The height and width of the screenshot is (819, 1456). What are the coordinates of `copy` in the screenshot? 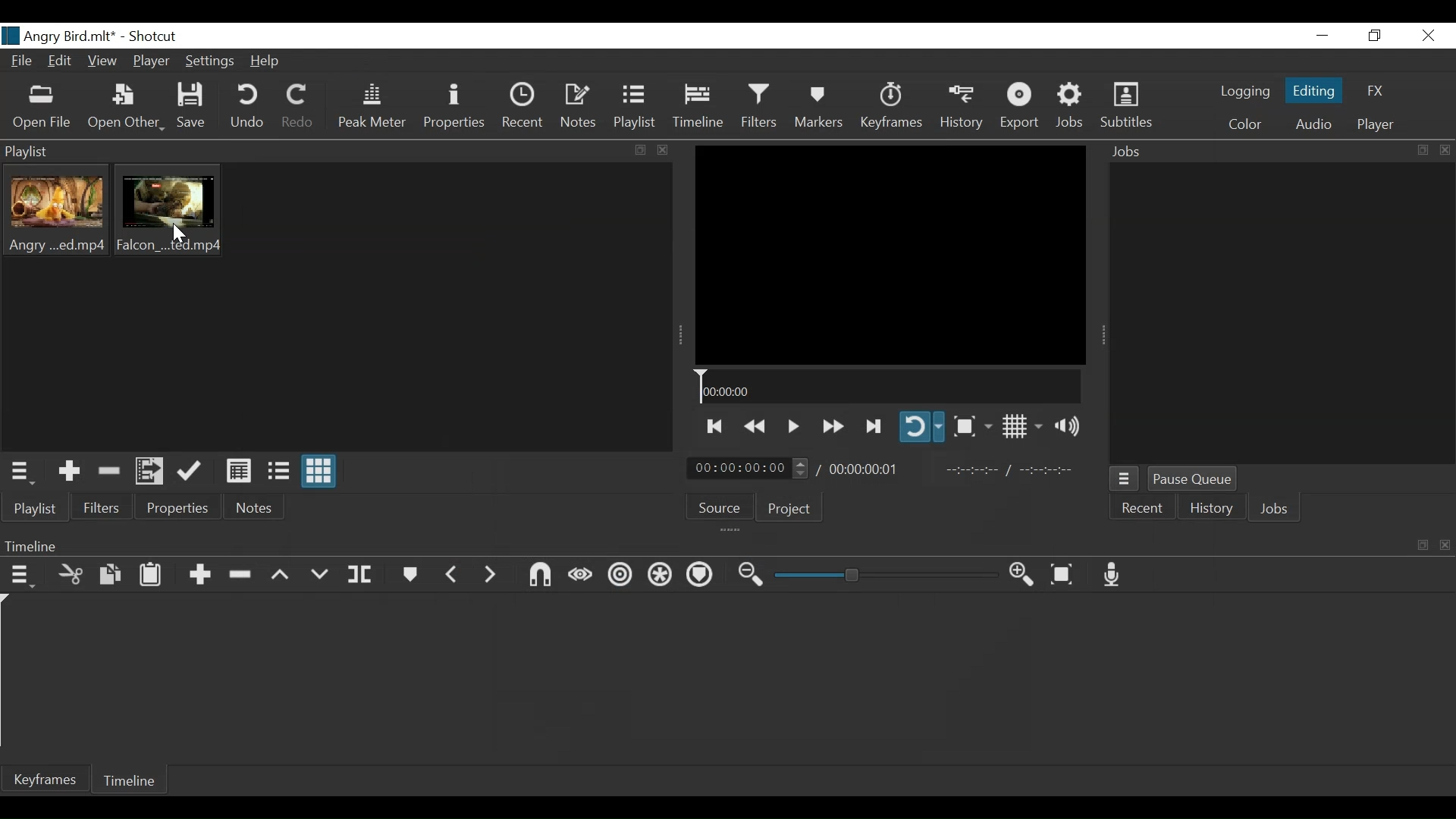 It's located at (642, 151).